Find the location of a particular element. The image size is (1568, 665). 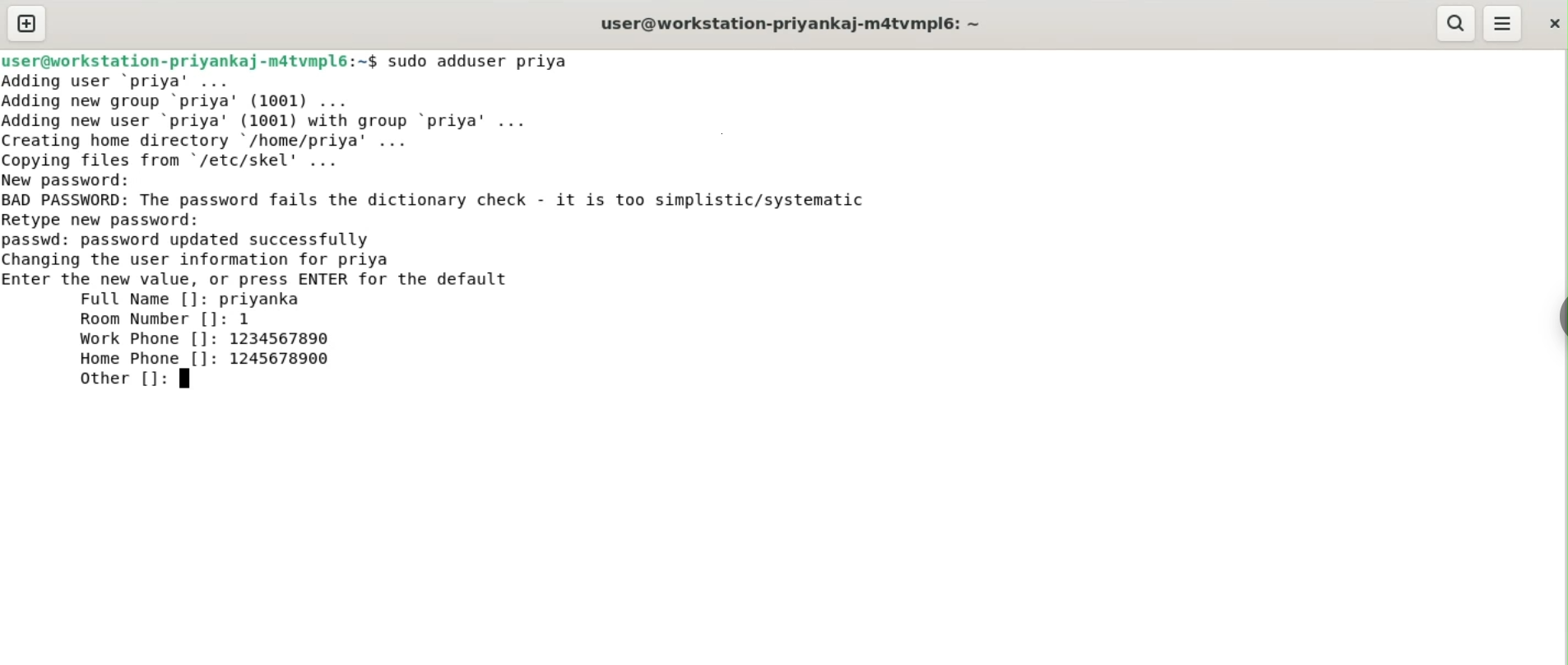

Adding user ‘priya’ ...

Adding new group ‘priya’ (1001) ...

Adding new user ‘priya' (1001) with group ‘priya’ ...
Creating home directory /home/priya’ ...

Copving files from "/etc/skel' ... is located at coordinates (318, 119).